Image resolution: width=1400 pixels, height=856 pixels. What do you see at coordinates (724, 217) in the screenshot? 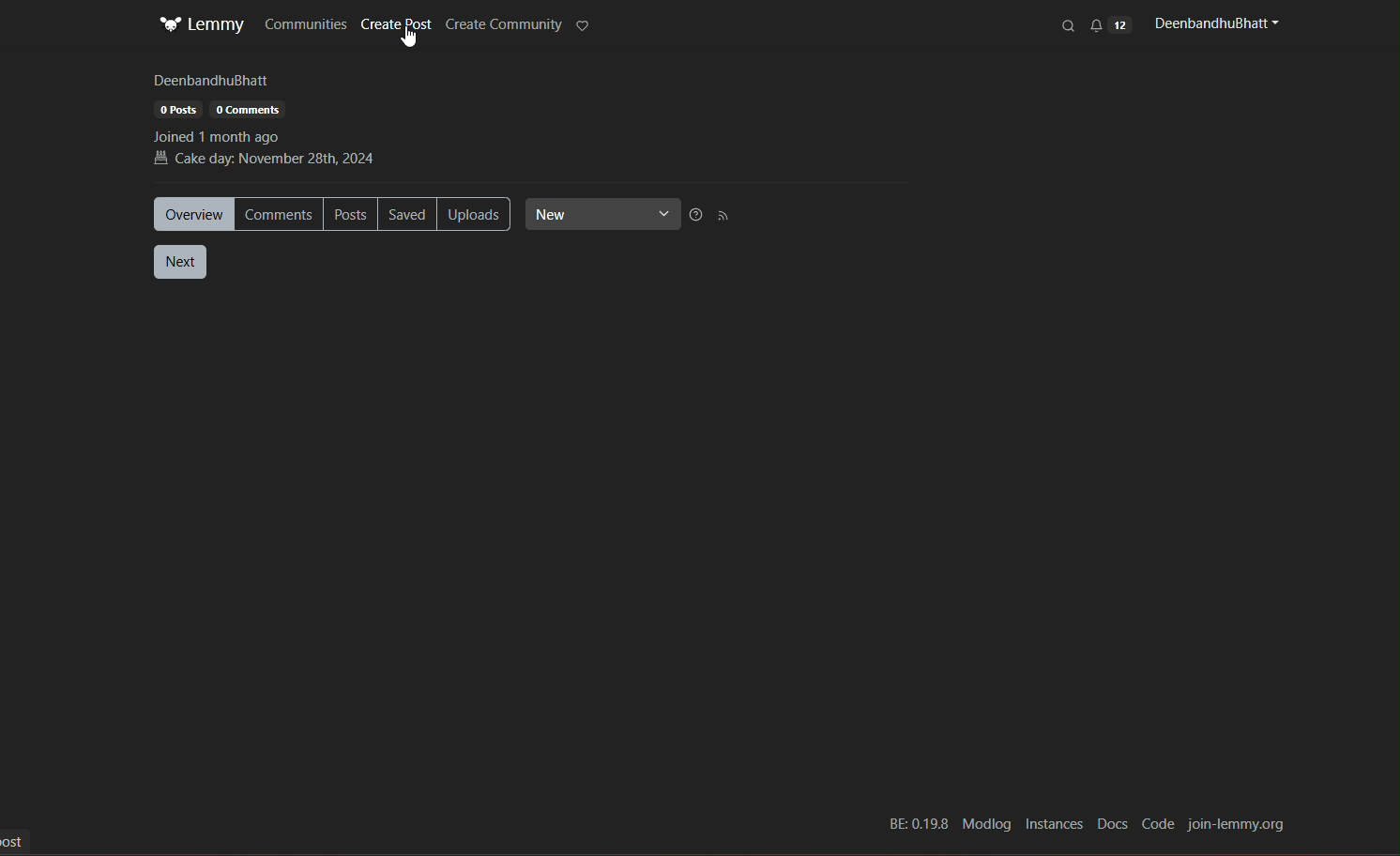
I see `signal` at bounding box center [724, 217].